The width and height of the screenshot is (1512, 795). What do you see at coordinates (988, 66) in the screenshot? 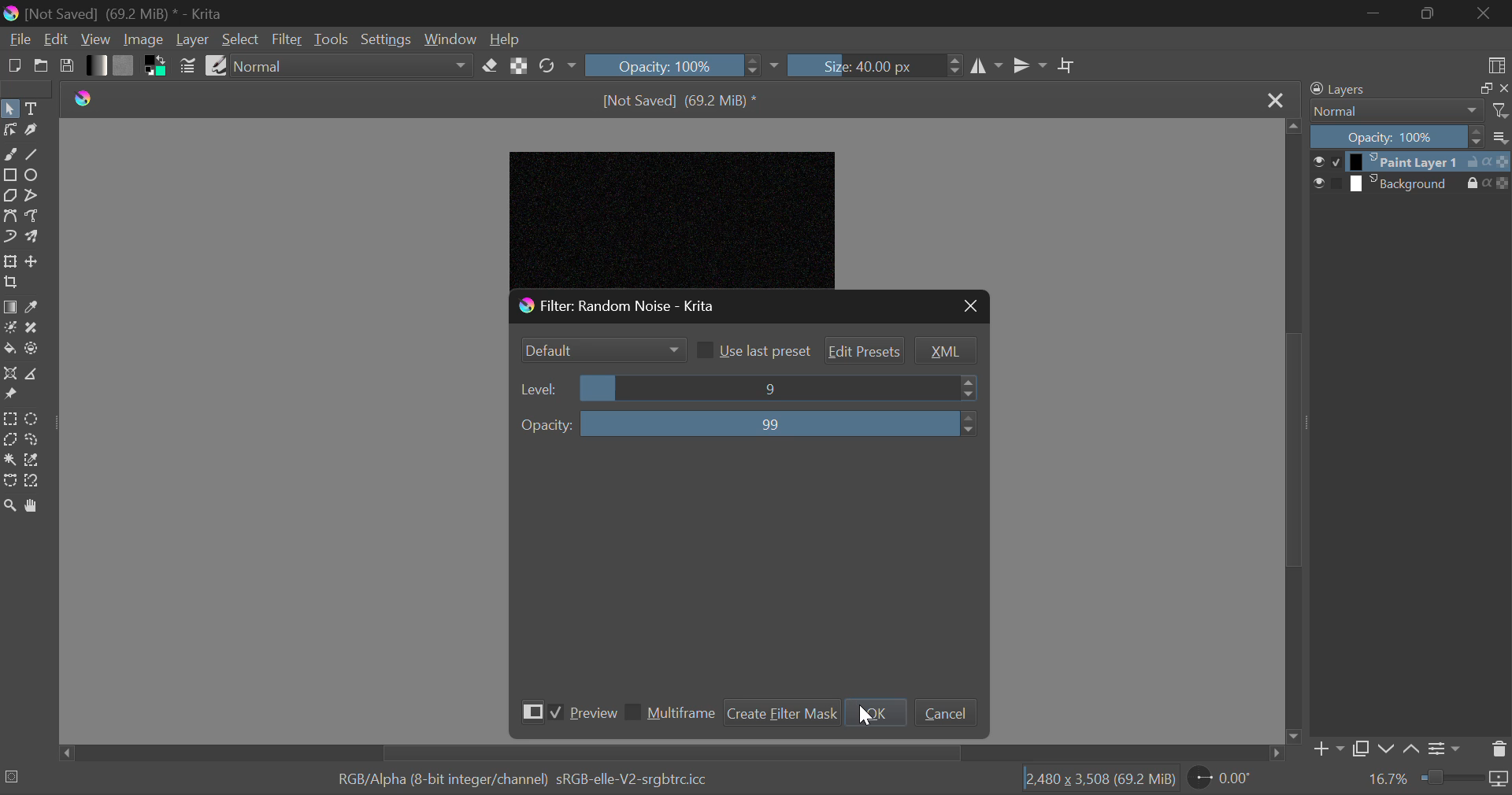
I see `Vertical Mirror Flip` at bounding box center [988, 66].